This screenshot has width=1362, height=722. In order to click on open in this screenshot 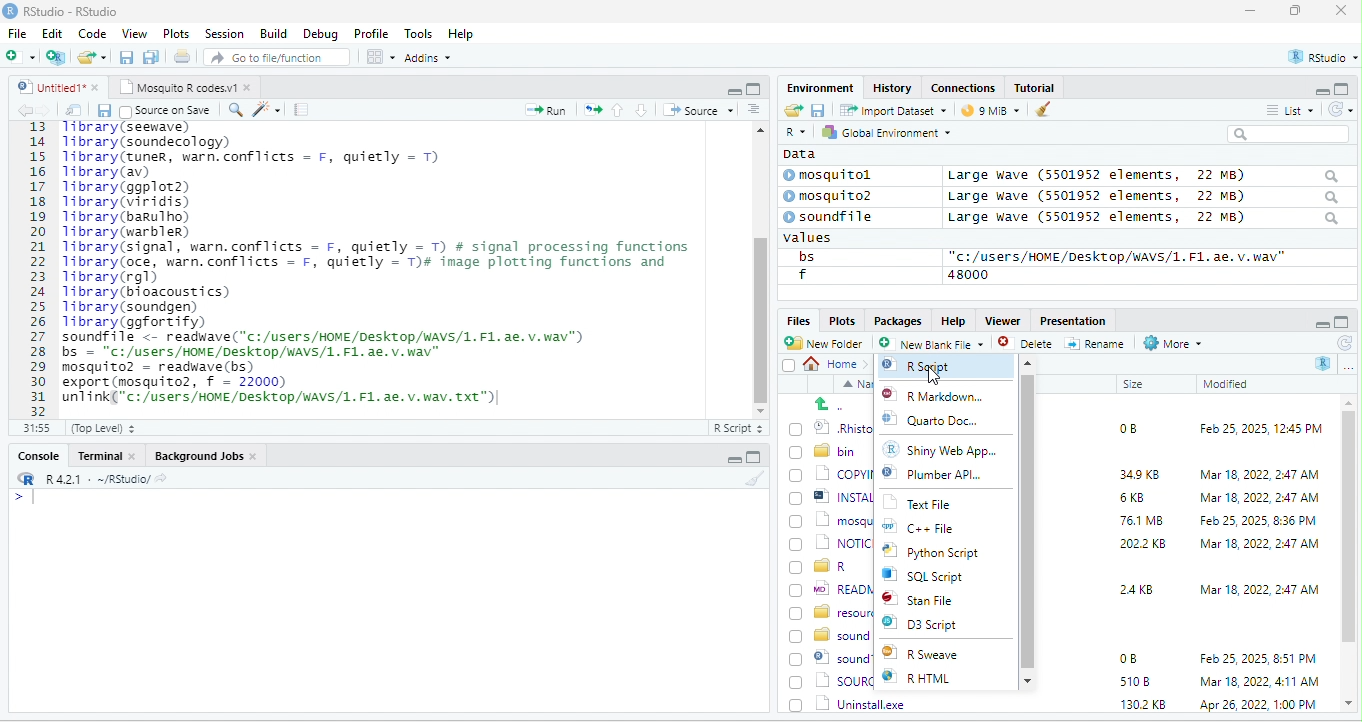, I will do `click(792, 111)`.